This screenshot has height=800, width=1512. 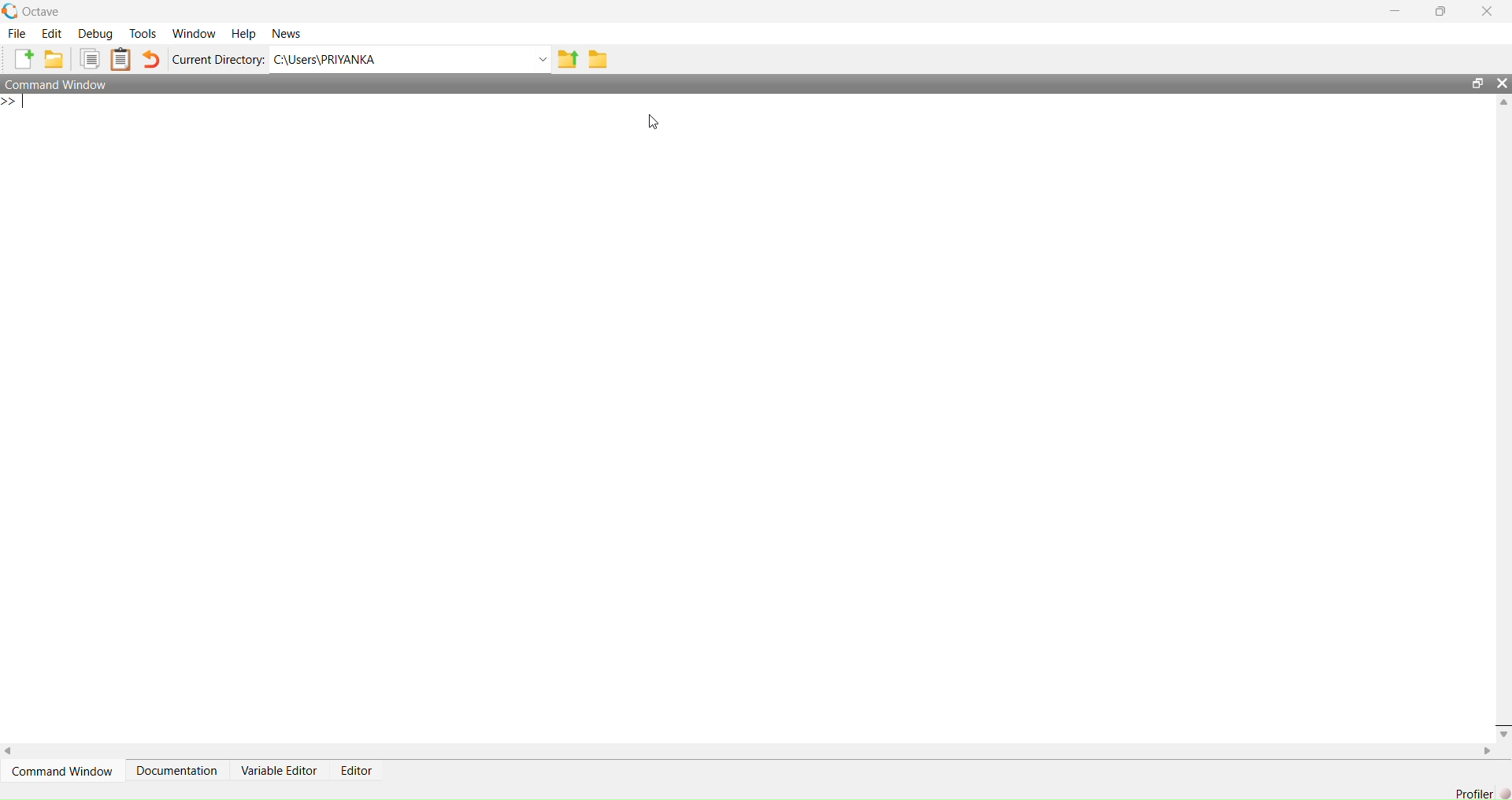 What do you see at coordinates (219, 59) in the screenshot?
I see `Current Directory` at bounding box center [219, 59].